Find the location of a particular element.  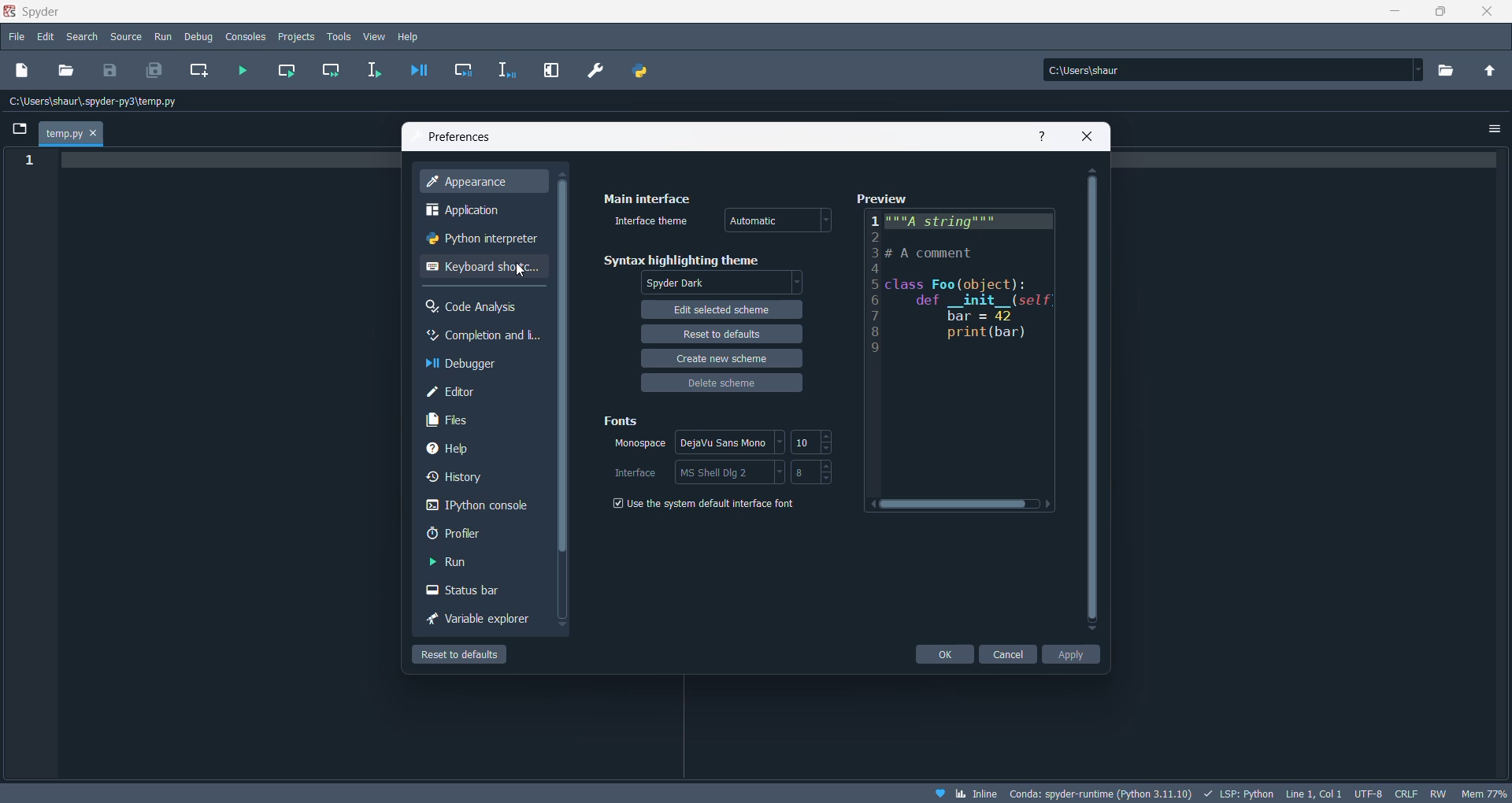

text is located at coordinates (973, 352).